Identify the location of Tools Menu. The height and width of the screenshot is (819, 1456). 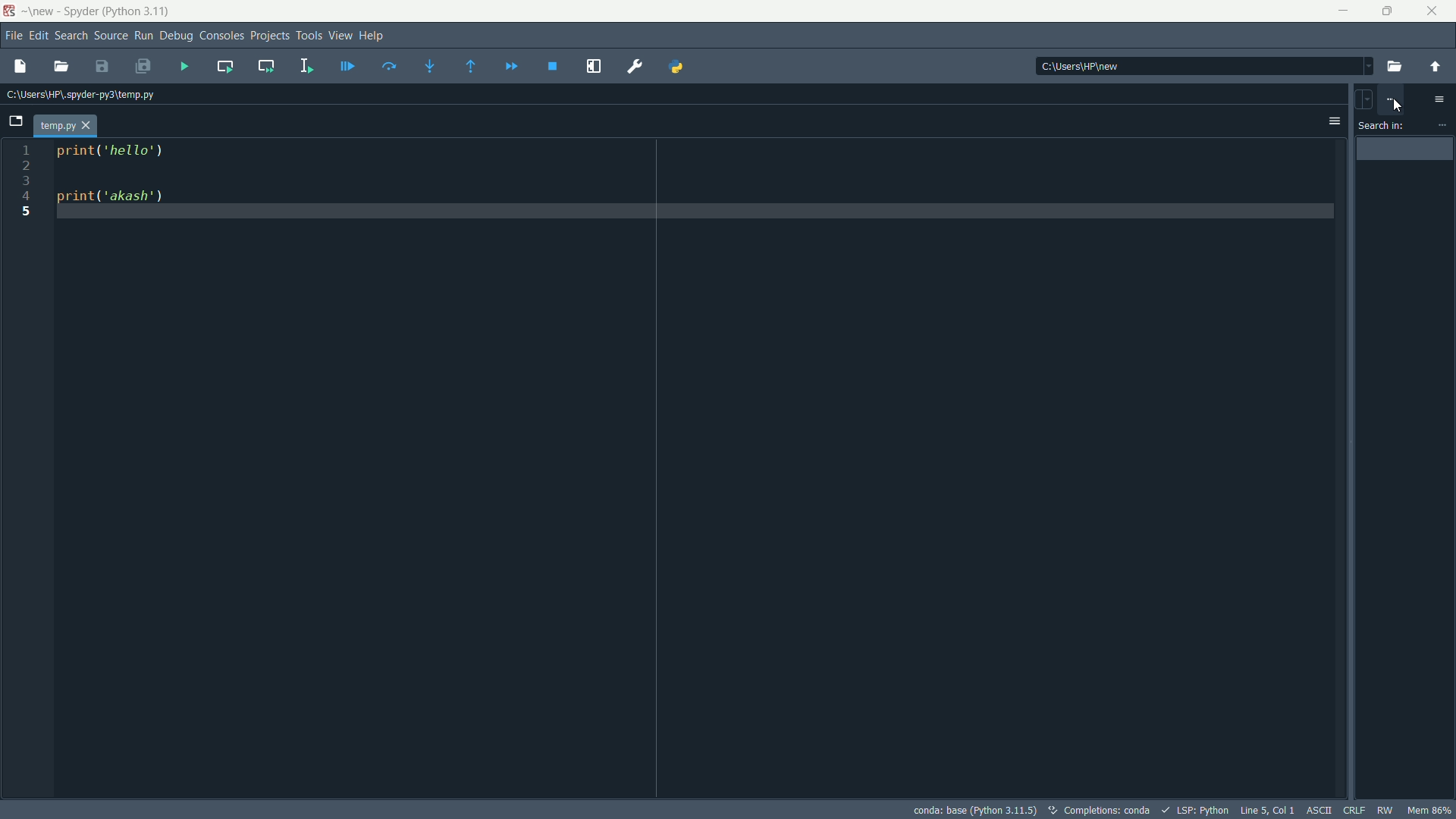
(307, 35).